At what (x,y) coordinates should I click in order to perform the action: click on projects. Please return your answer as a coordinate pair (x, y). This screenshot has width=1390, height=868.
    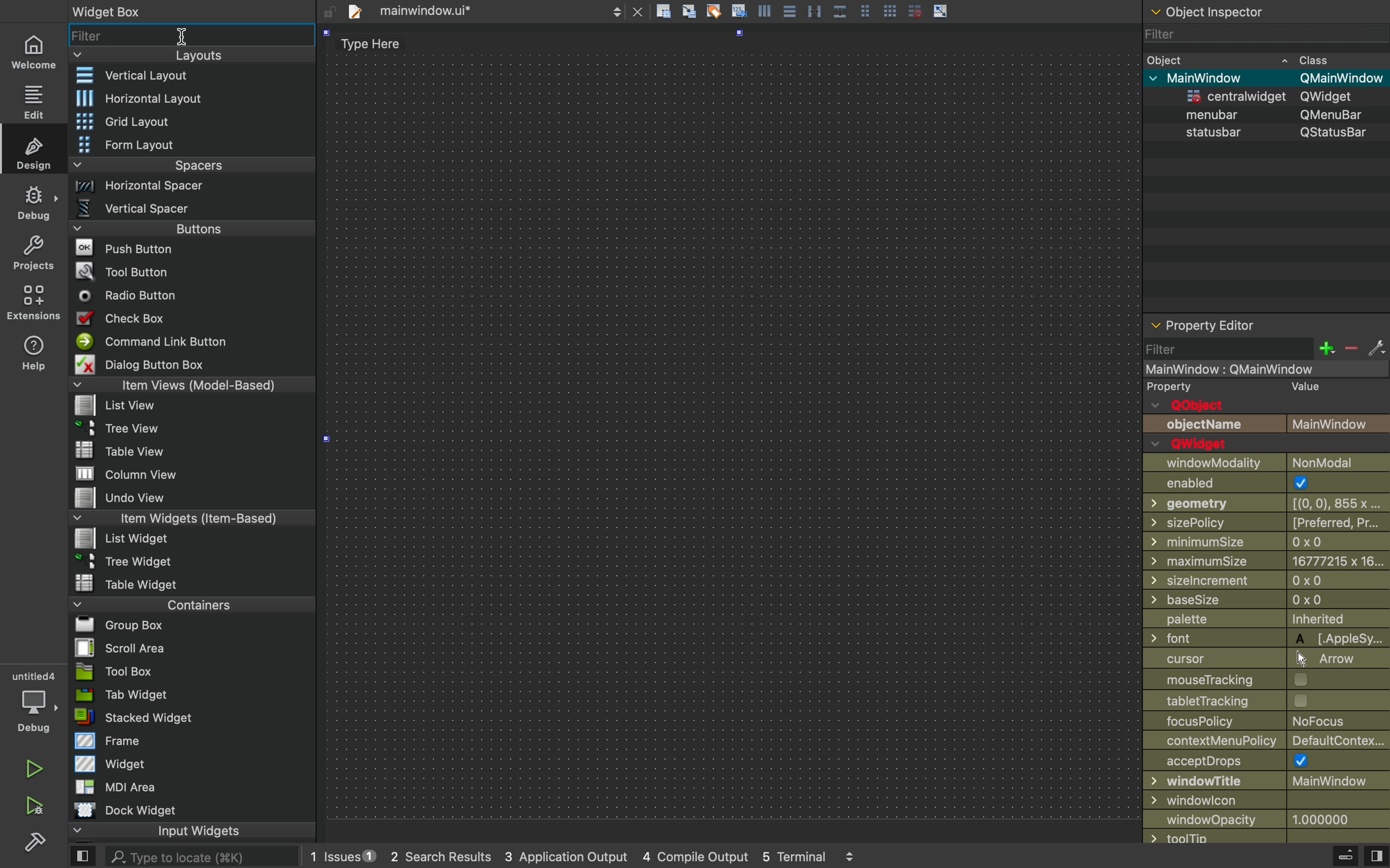
    Looking at the image, I should click on (32, 254).